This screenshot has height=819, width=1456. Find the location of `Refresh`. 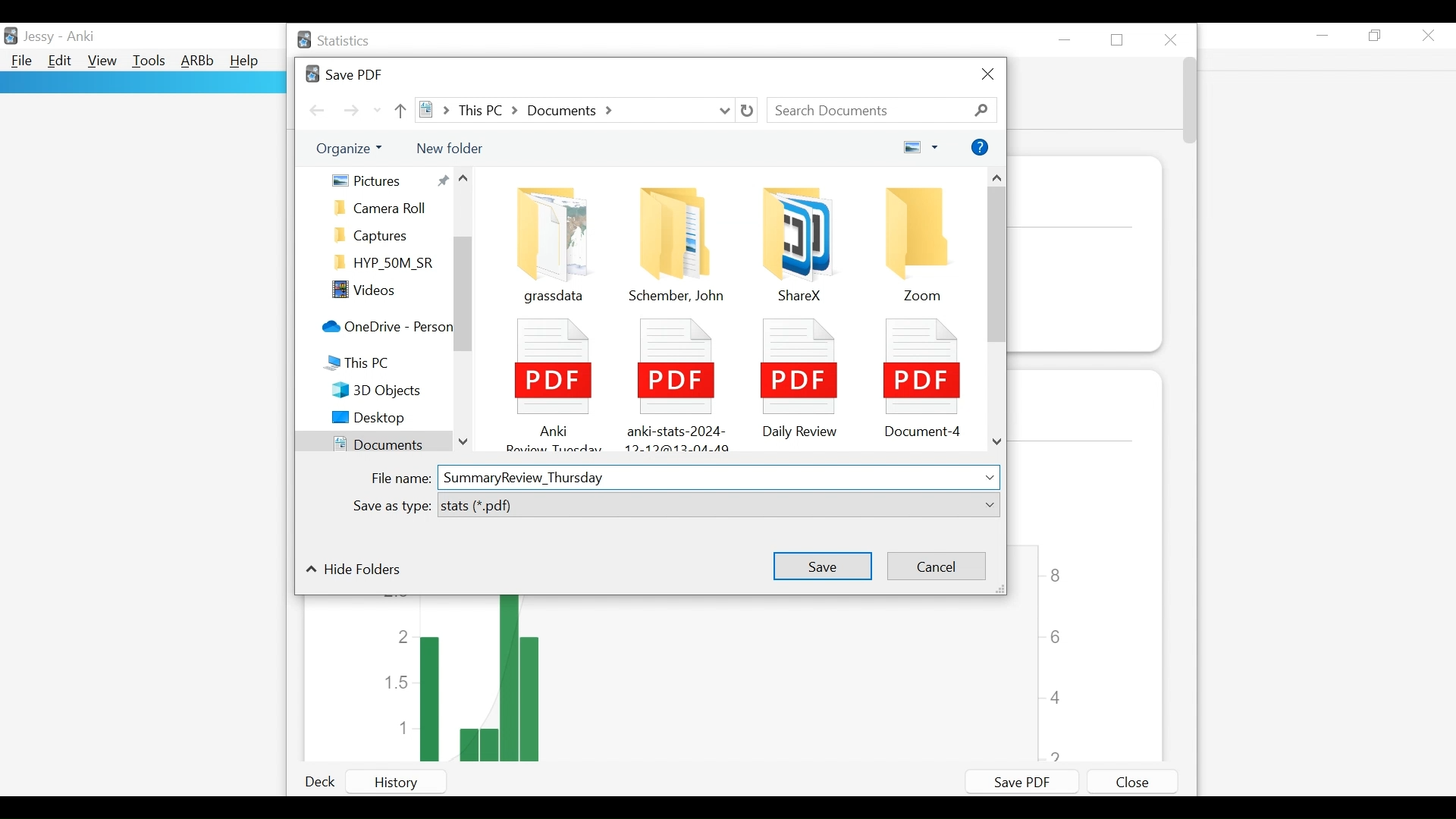

Refresh is located at coordinates (748, 111).